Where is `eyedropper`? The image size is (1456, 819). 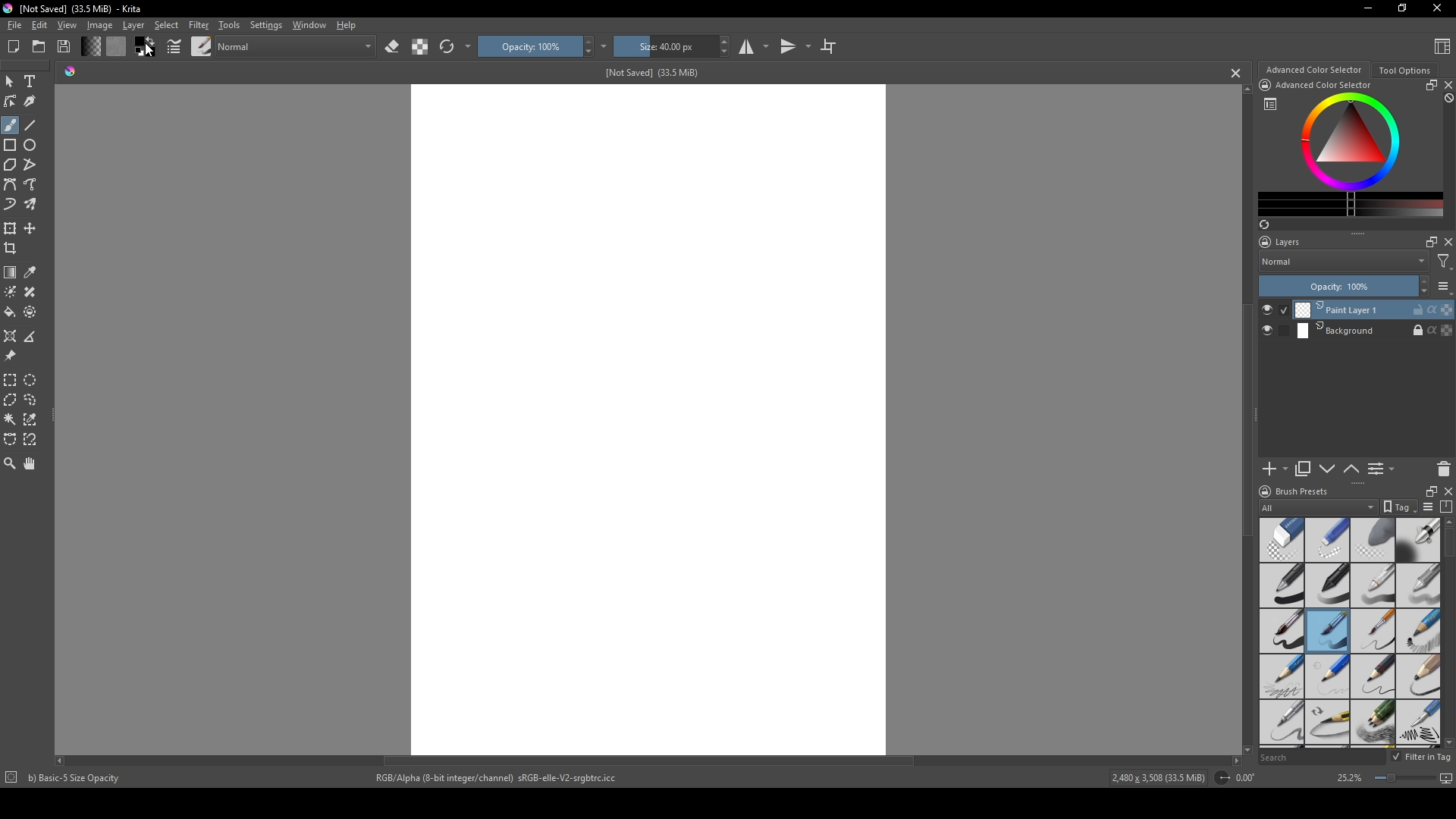 eyedropper is located at coordinates (32, 272).